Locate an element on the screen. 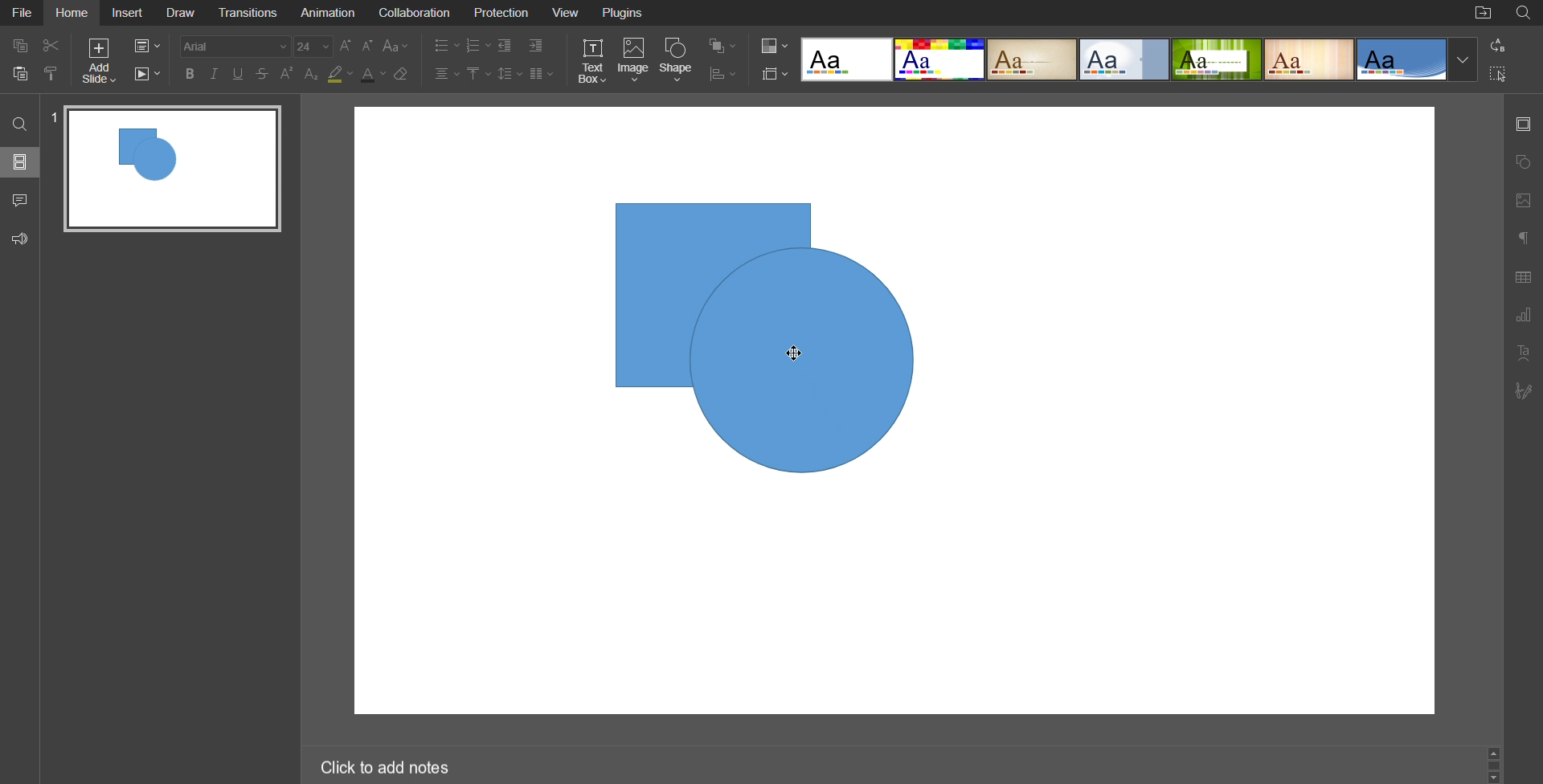 The width and height of the screenshot is (1543, 784). Open File Location is located at coordinates (1483, 12).